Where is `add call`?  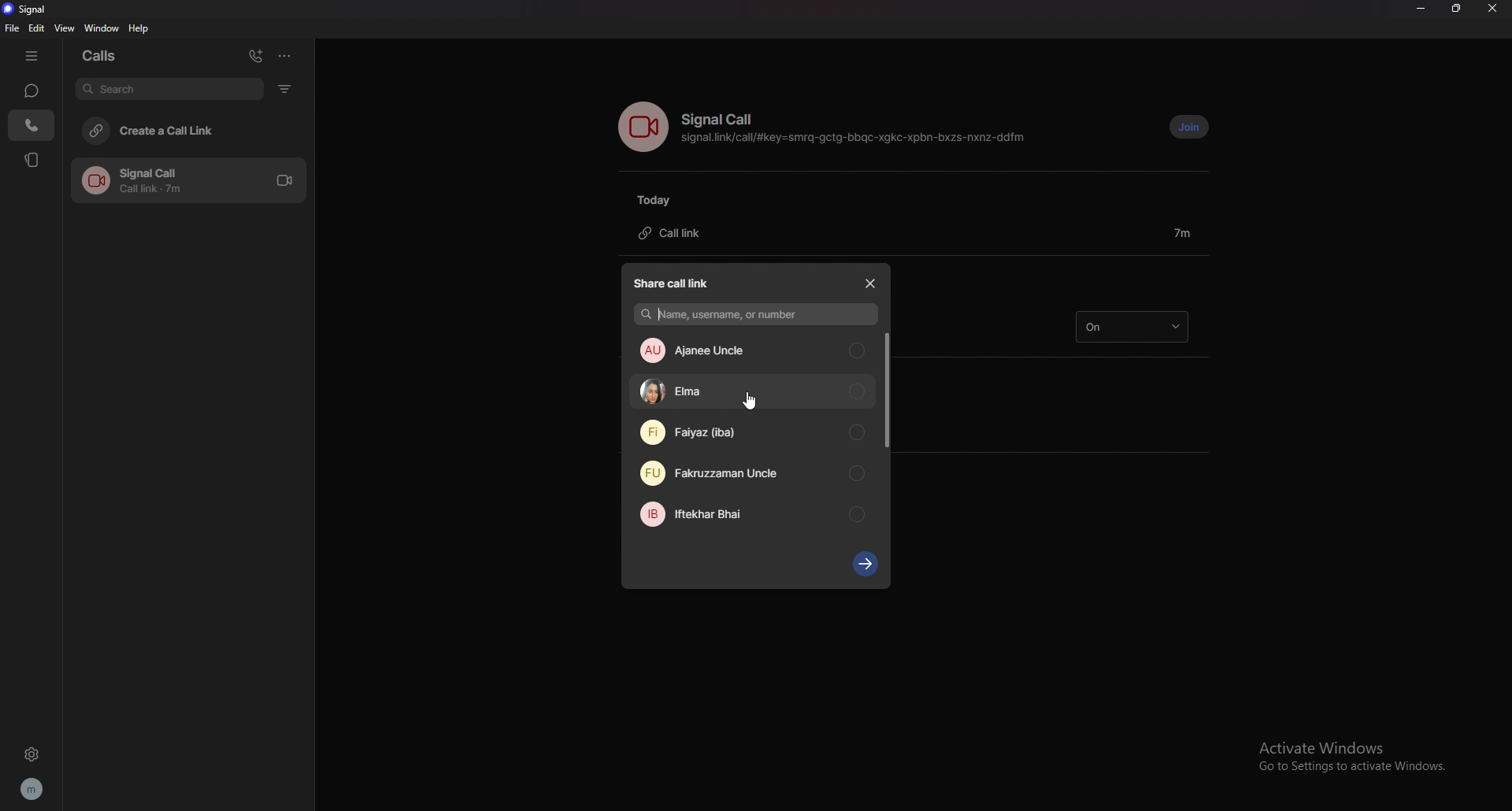 add call is located at coordinates (255, 55).